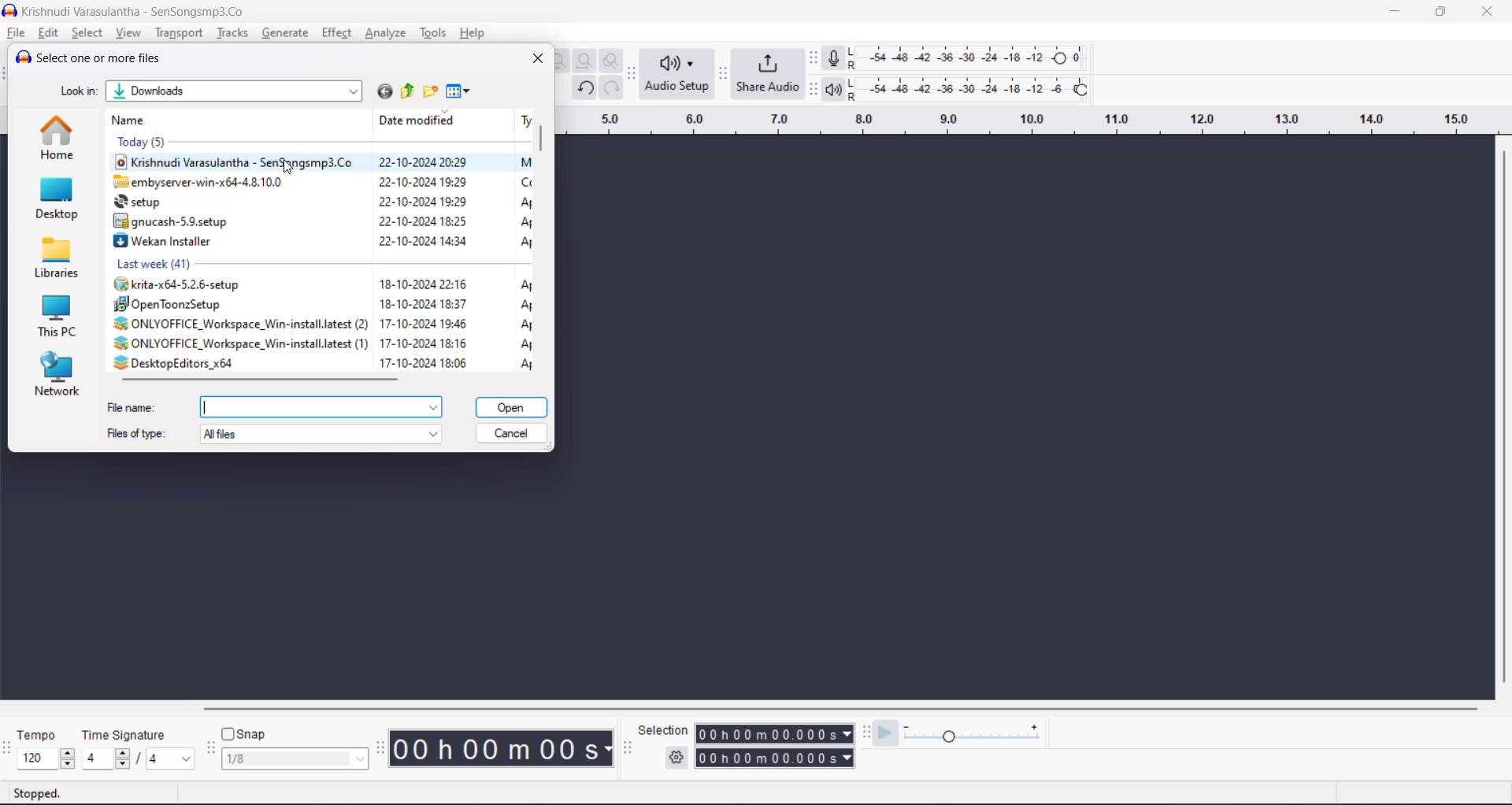 Image resolution: width=1512 pixels, height=805 pixels. Describe the element at coordinates (46, 759) in the screenshot. I see `speed selector` at that location.